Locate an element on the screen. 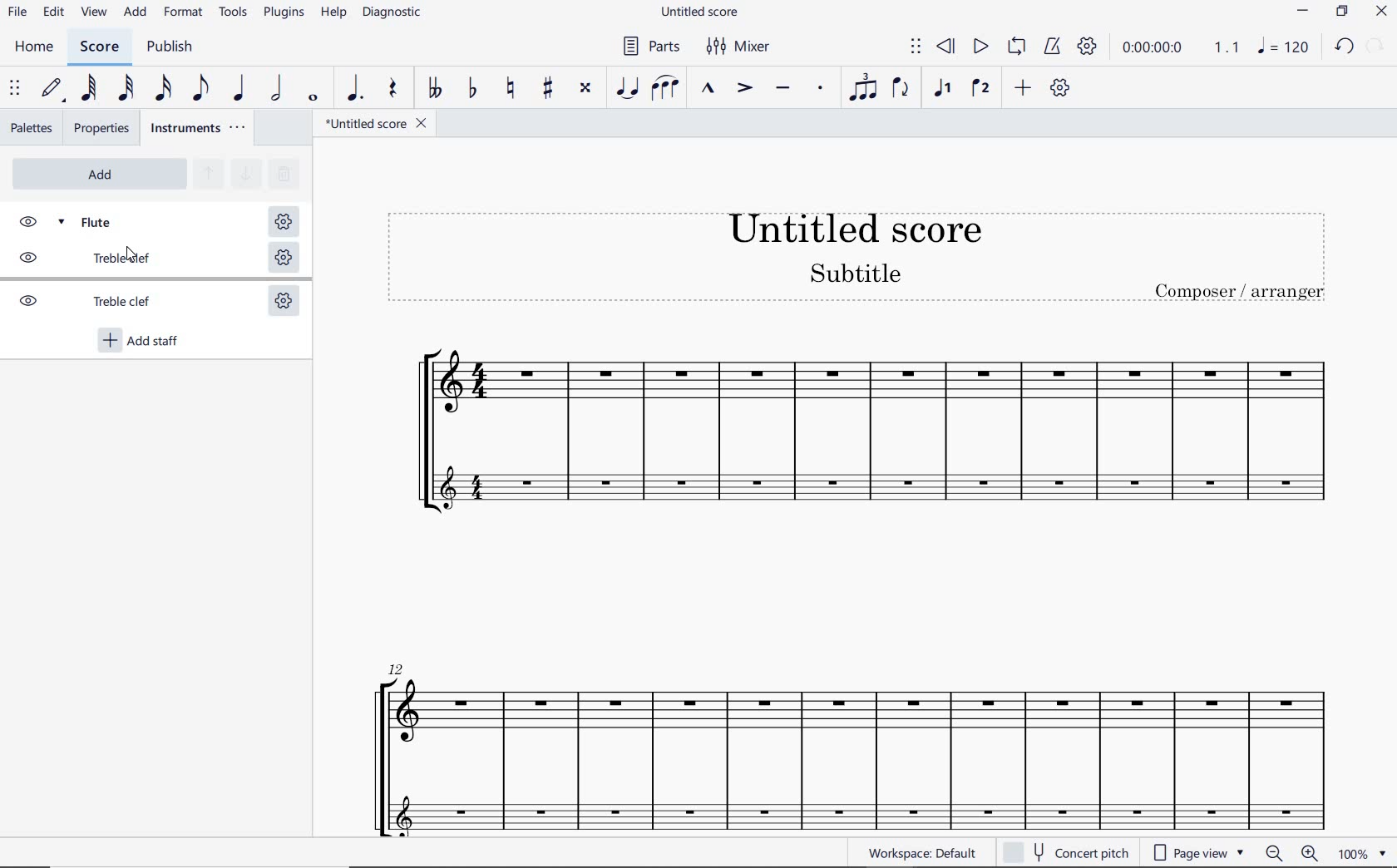  PARTS is located at coordinates (652, 47).